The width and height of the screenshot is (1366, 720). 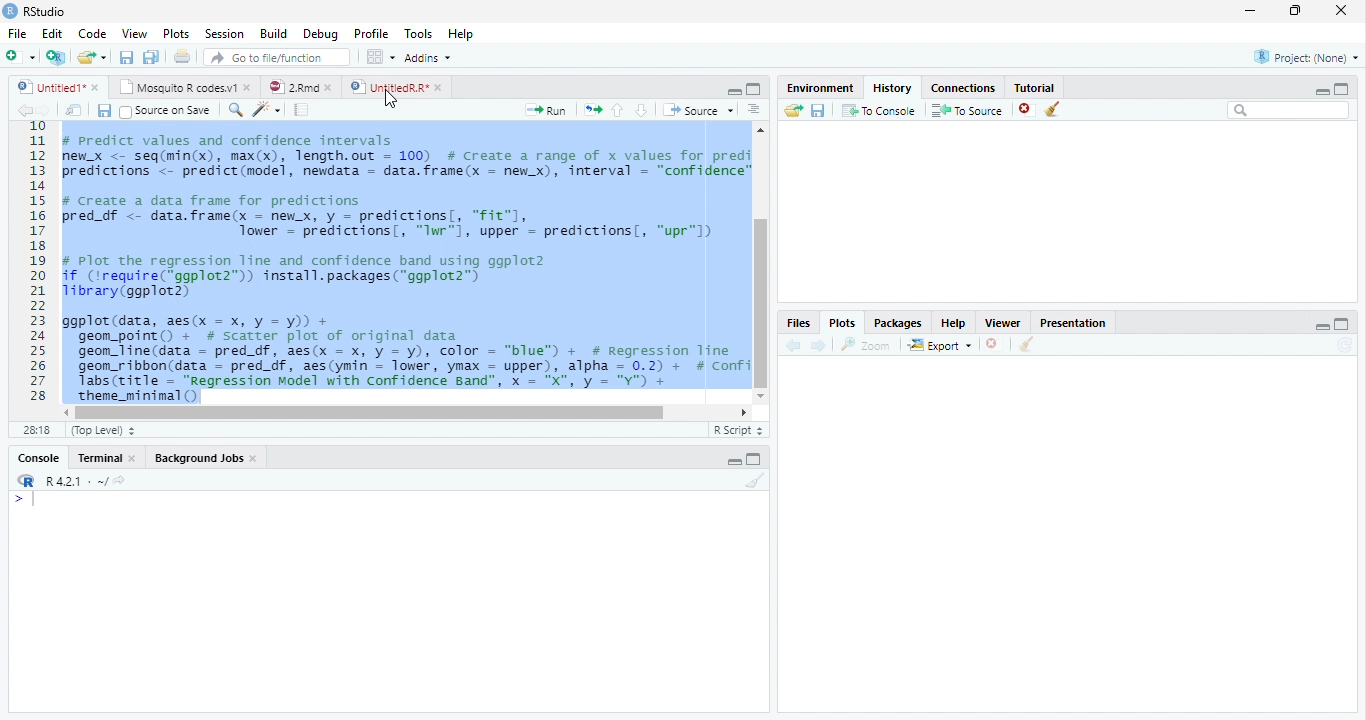 I want to click on Search, so click(x=1291, y=110).